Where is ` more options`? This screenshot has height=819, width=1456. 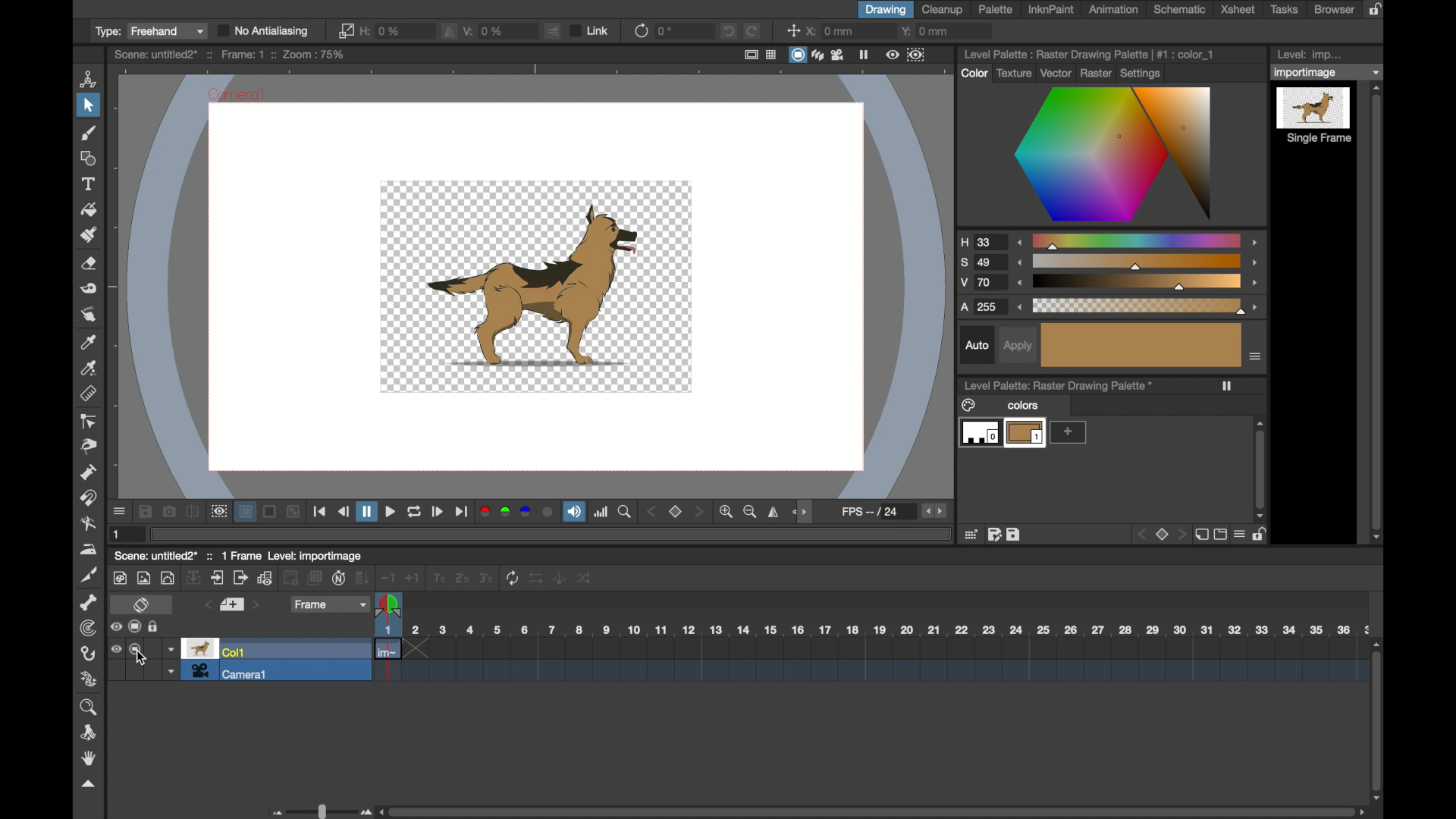
 more options is located at coordinates (119, 512).